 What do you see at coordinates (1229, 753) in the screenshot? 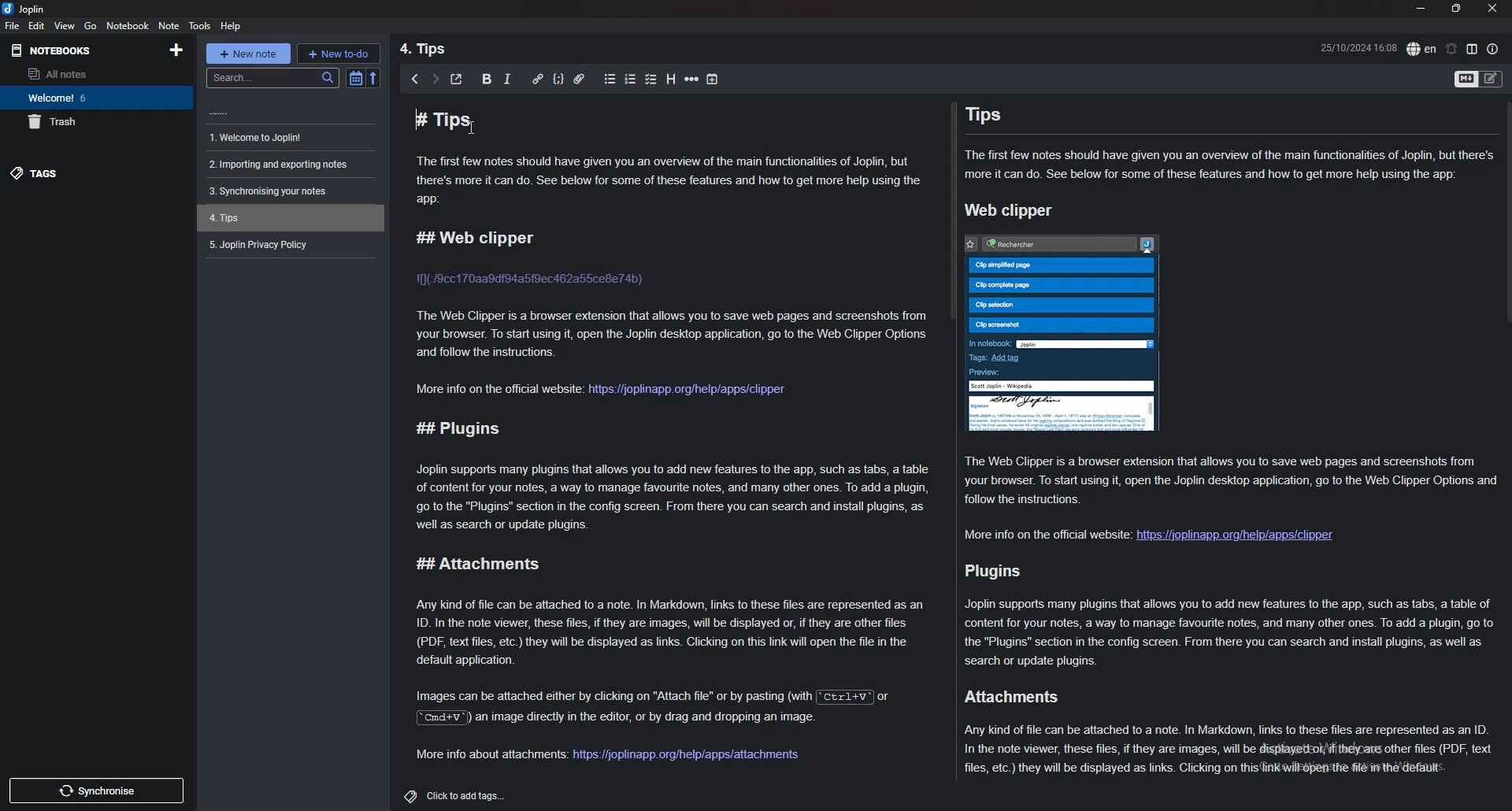
I see `Any kind of file can be attached to a note. In Markdown, links to these files are represented as an ID.
In the note viewer, these files, if they are images, will be displayeti-ok/\ifitheysares other files (PDF, text
files, etc.) they will be displayed as links. Clicking on this link will-open:thie file ir the defaults` at bounding box center [1229, 753].